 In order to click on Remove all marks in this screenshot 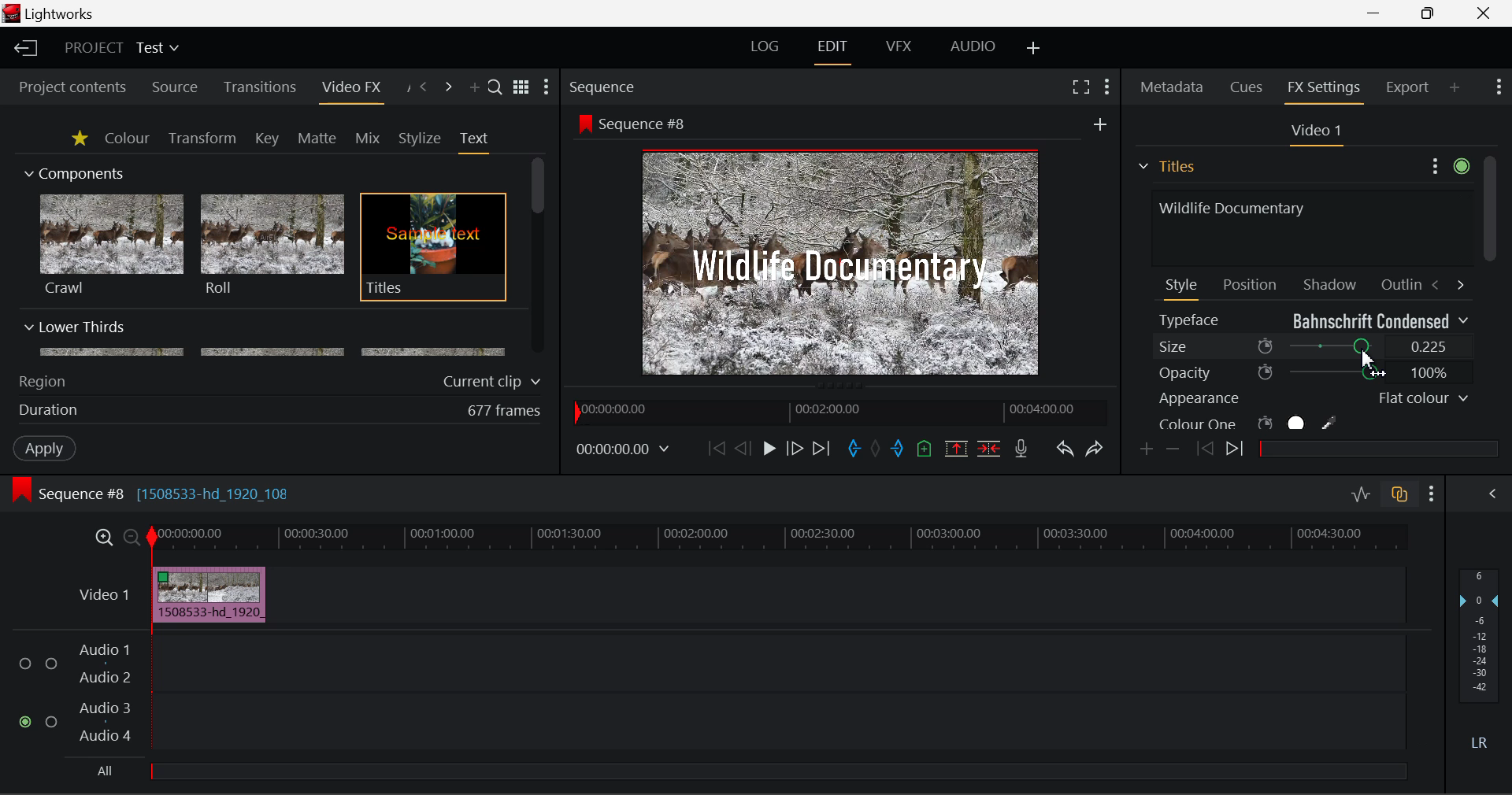, I will do `click(877, 450)`.